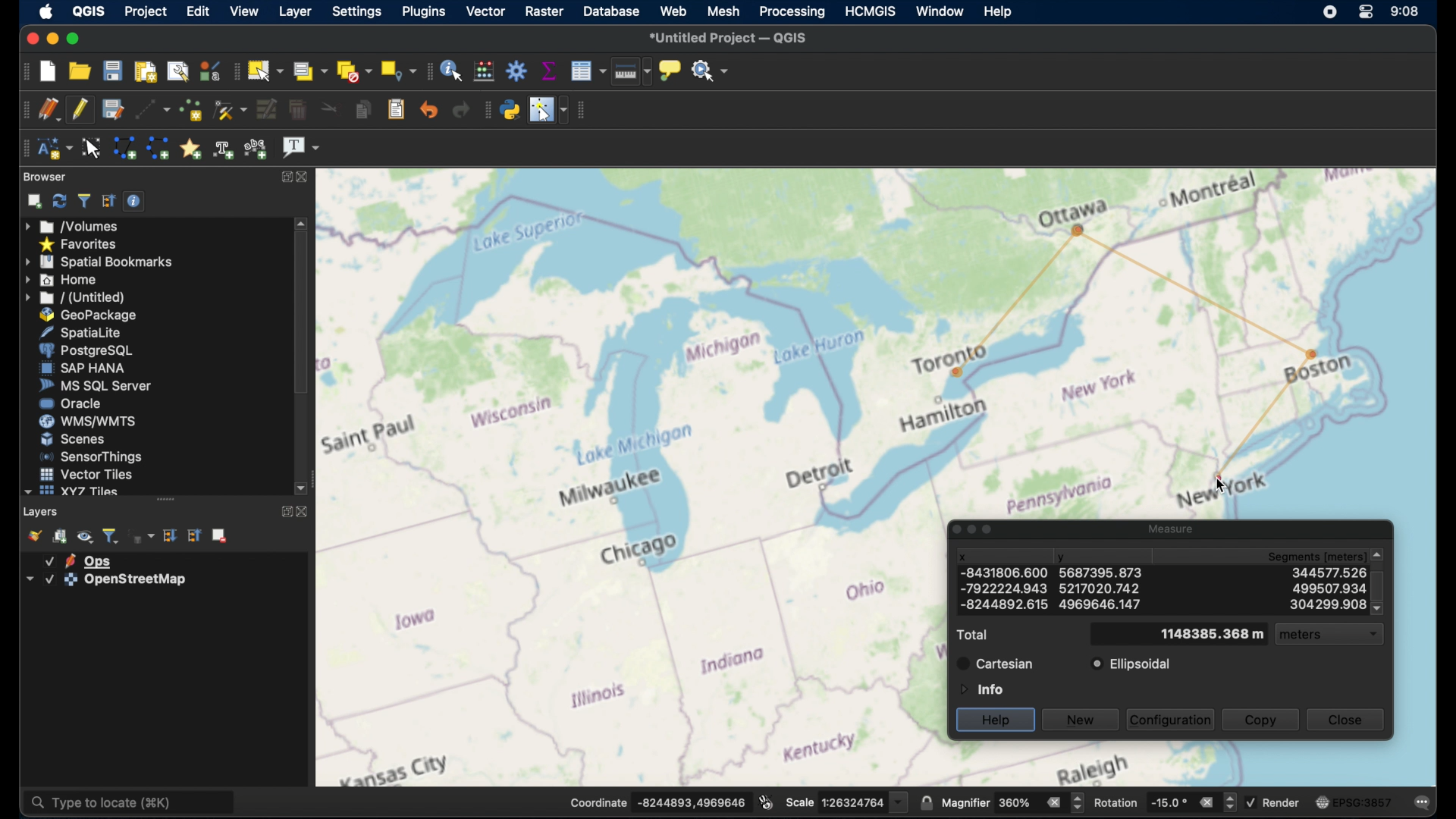  Describe the element at coordinates (243, 11) in the screenshot. I see `view` at that location.